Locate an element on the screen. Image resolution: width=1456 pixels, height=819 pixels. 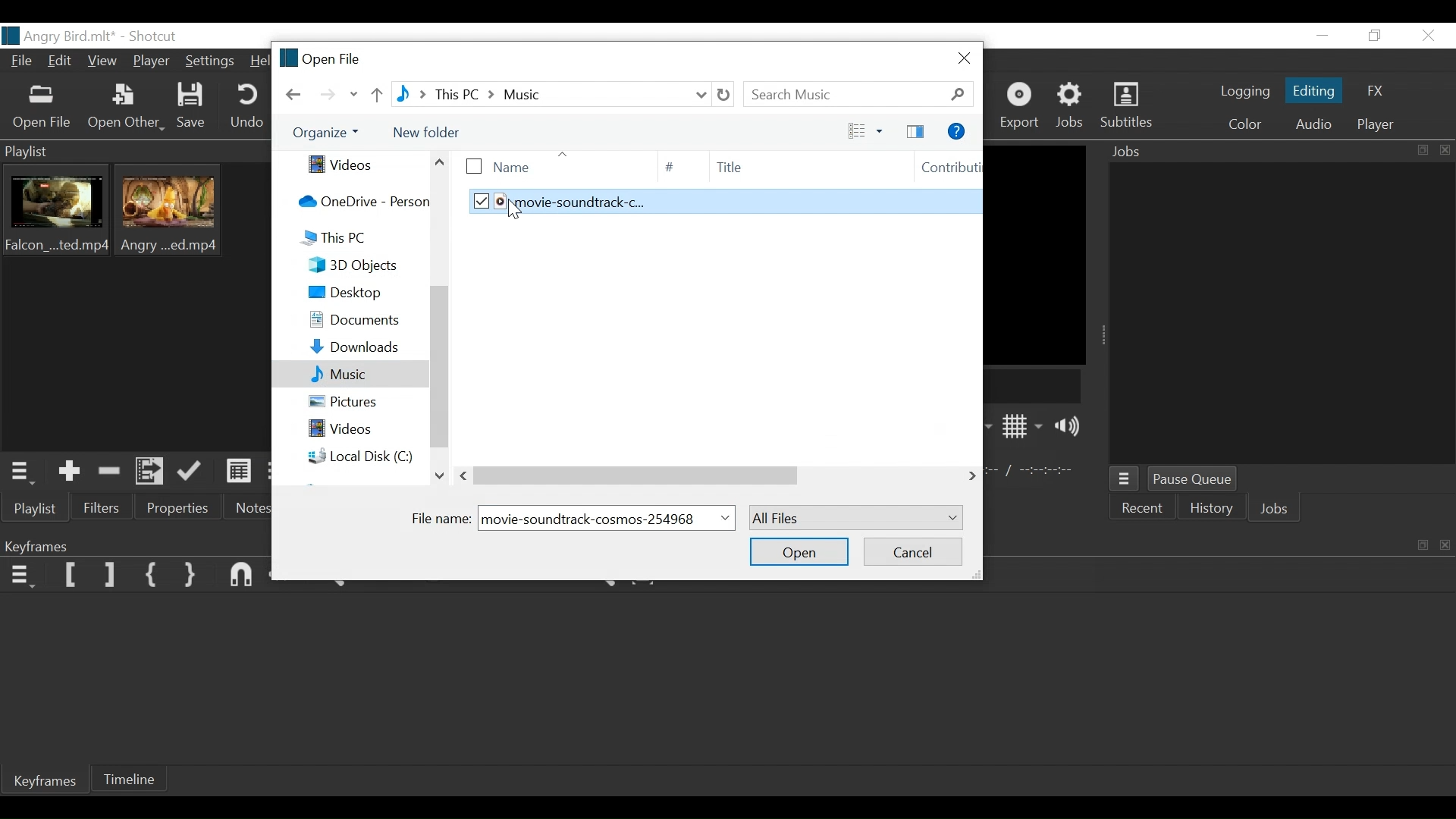
Show Volume control is located at coordinates (1072, 428).